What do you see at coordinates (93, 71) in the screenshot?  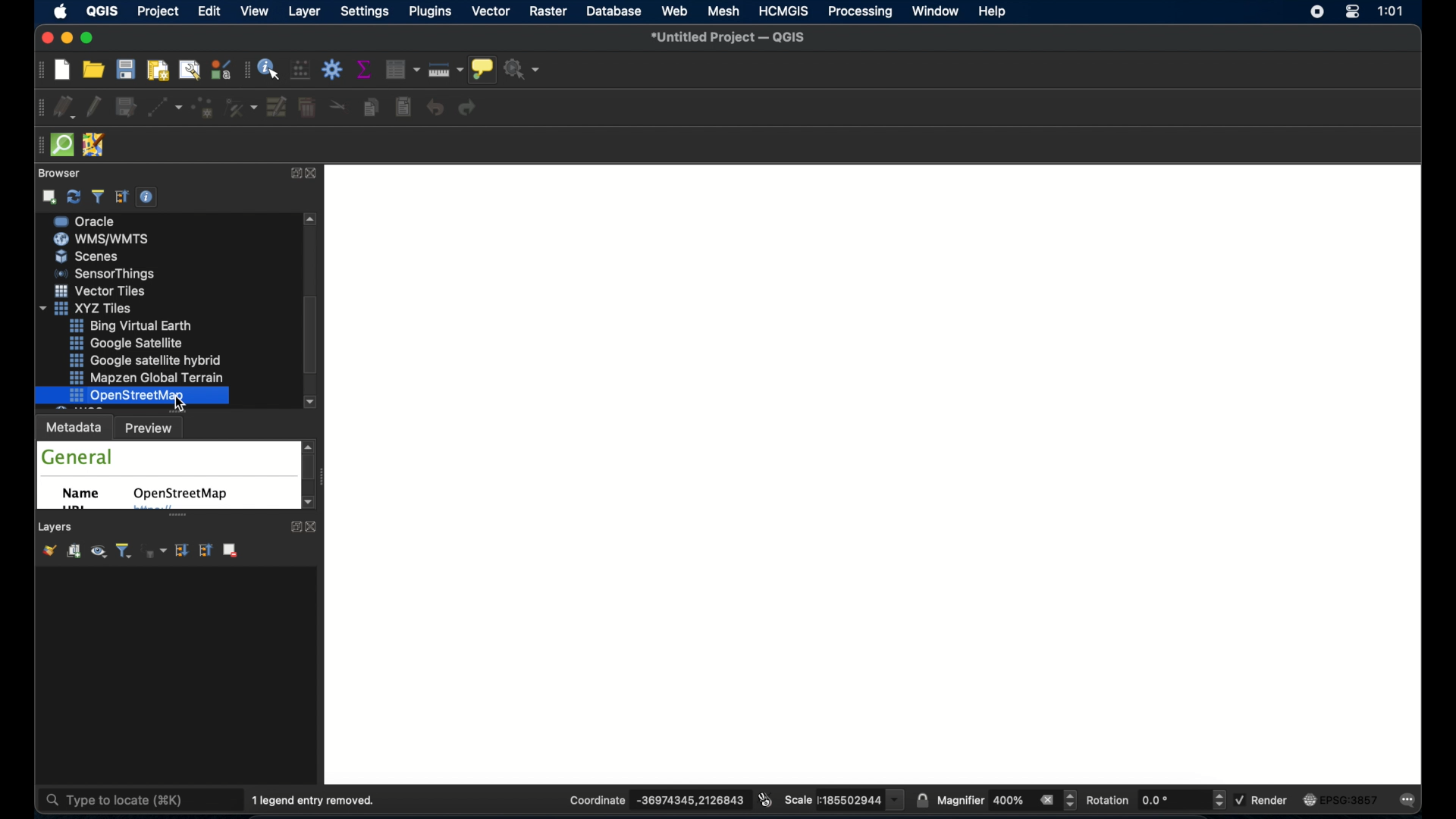 I see `open project` at bounding box center [93, 71].